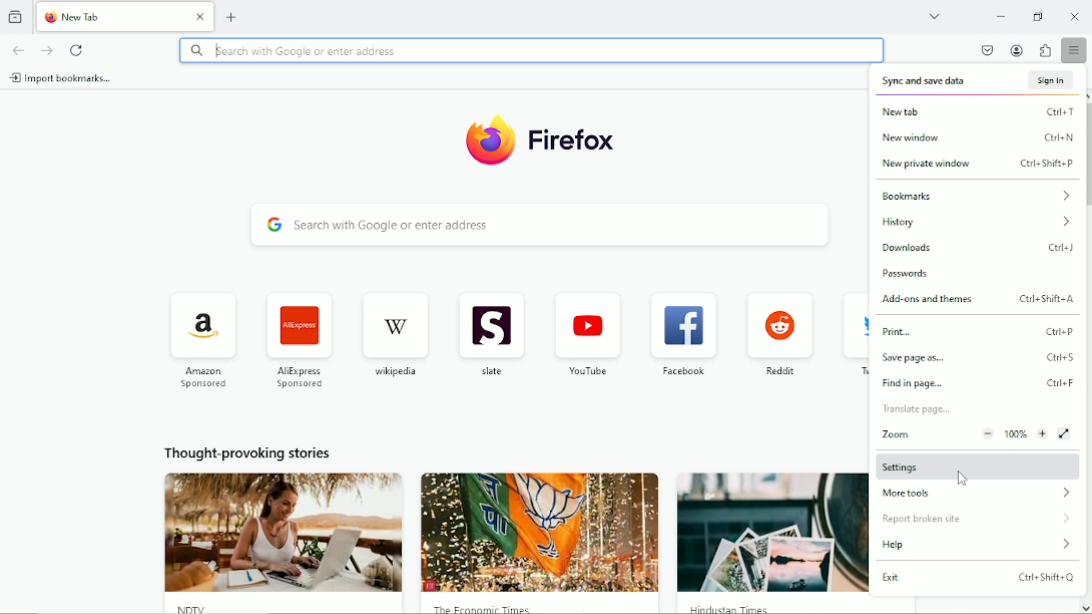 The image size is (1092, 614). I want to click on NDTV, so click(285, 604).